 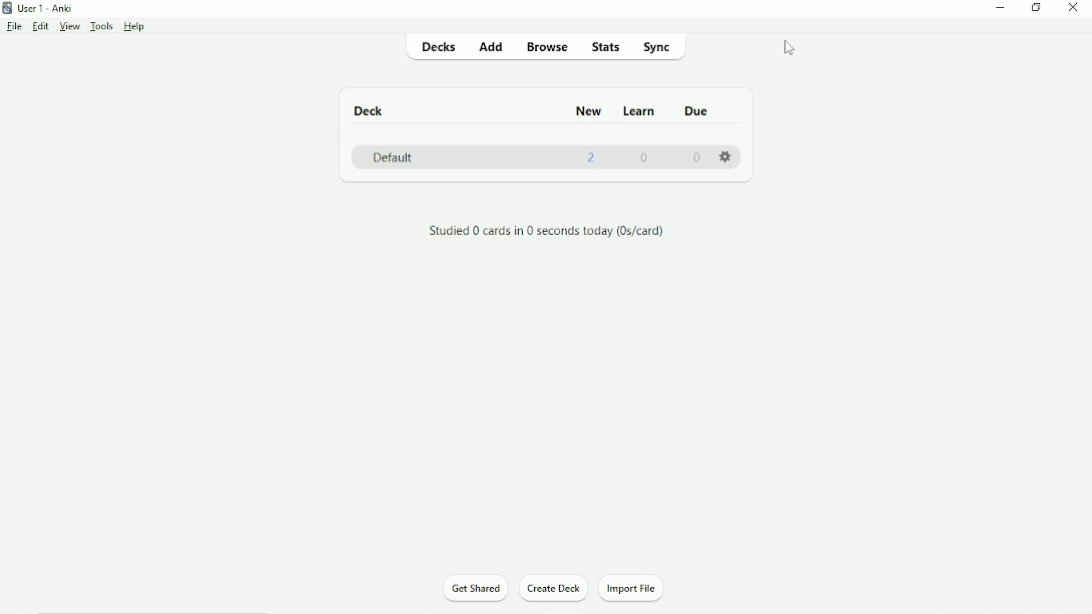 I want to click on Stats, so click(x=607, y=48).